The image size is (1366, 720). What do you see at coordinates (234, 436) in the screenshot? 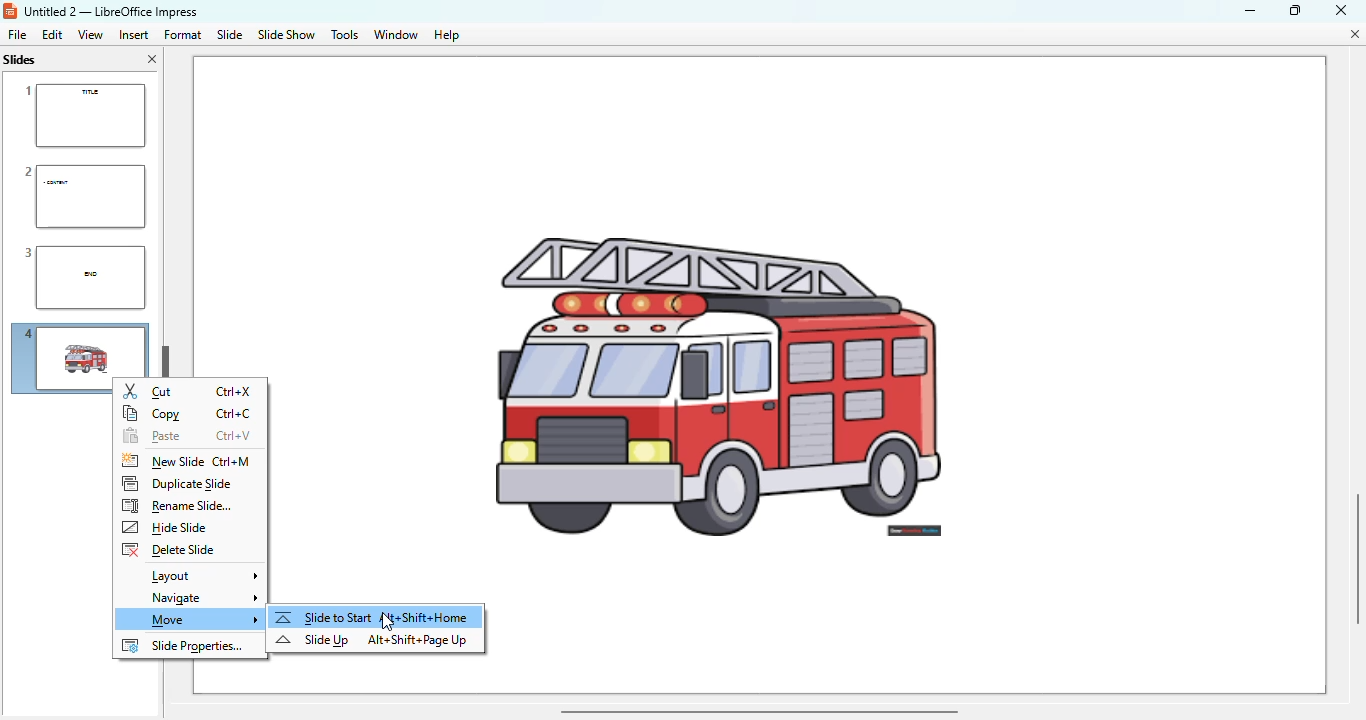
I see `shortcut for paste` at bounding box center [234, 436].